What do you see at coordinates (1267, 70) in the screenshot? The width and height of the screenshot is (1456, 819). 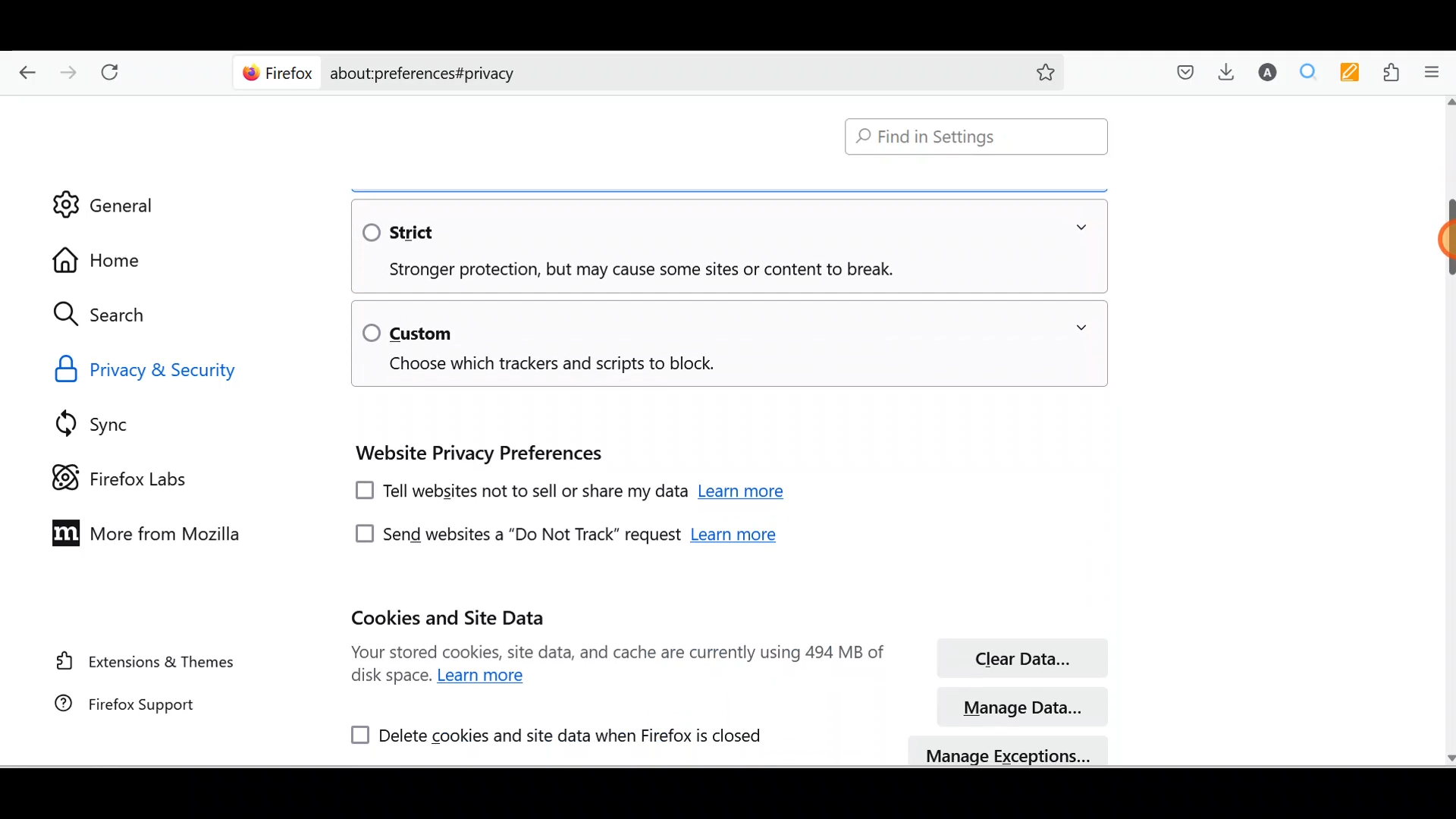 I see `Account` at bounding box center [1267, 70].